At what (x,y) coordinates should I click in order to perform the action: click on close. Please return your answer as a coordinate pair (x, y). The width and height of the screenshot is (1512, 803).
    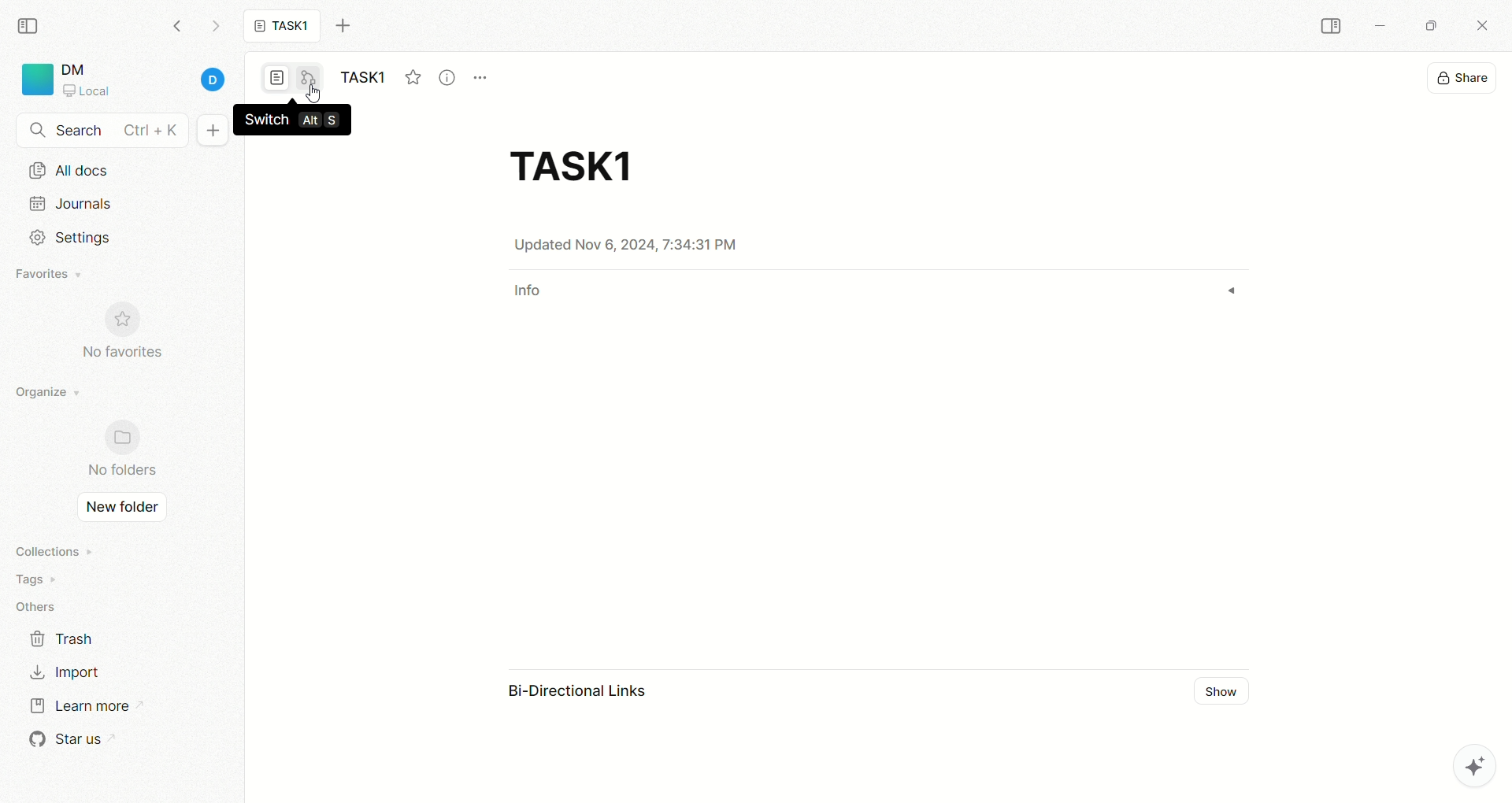
    Looking at the image, I should click on (1485, 28).